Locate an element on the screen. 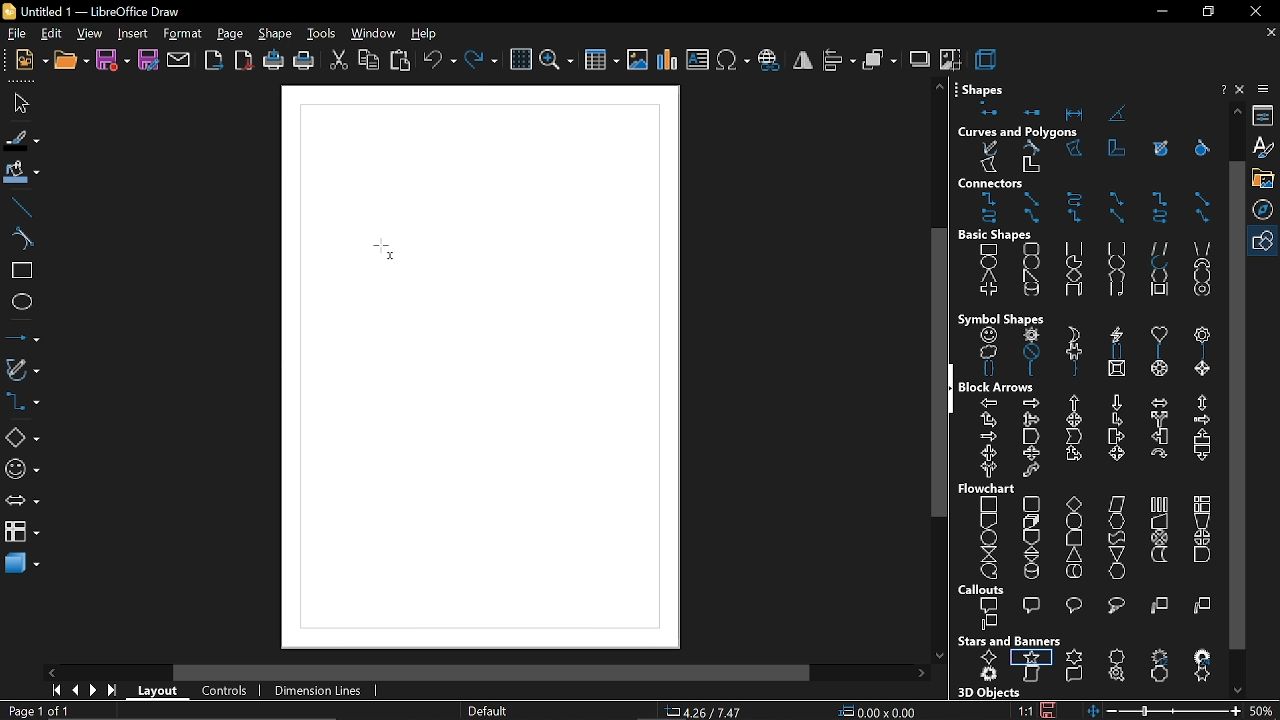  help is located at coordinates (427, 34).